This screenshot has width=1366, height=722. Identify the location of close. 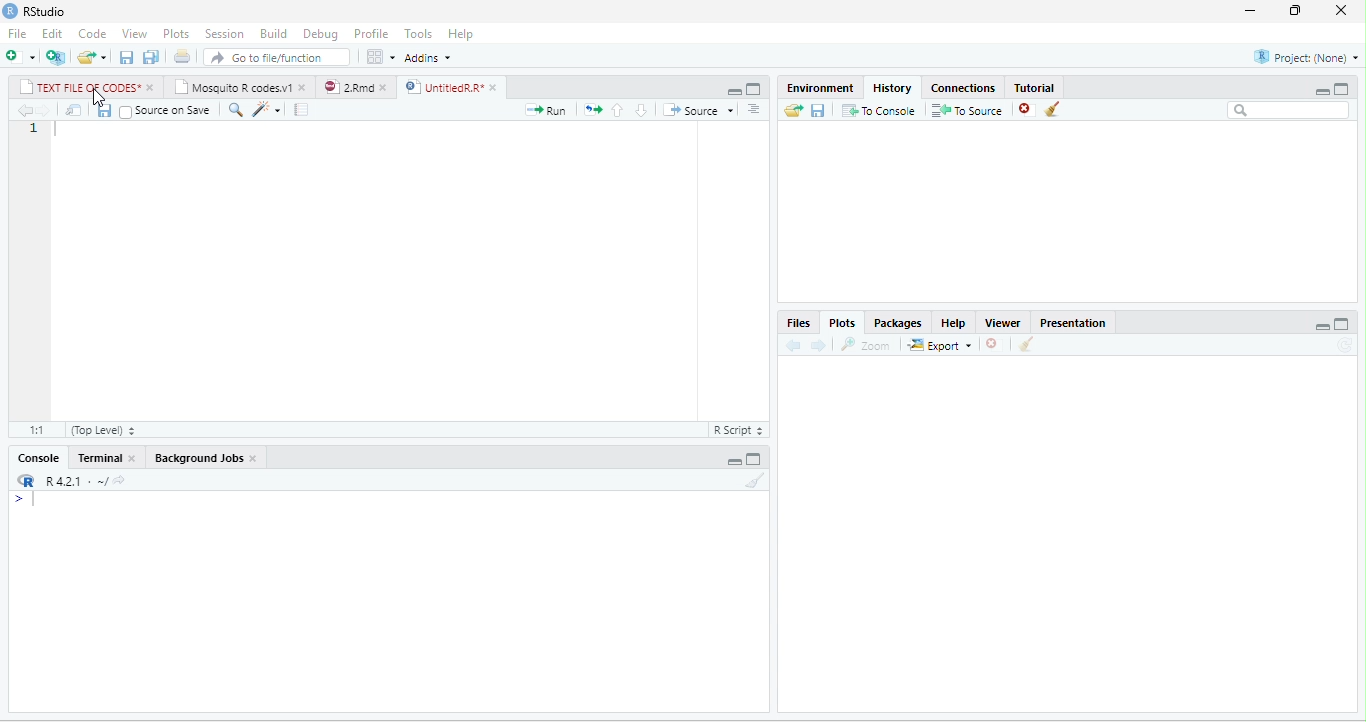
(1342, 10).